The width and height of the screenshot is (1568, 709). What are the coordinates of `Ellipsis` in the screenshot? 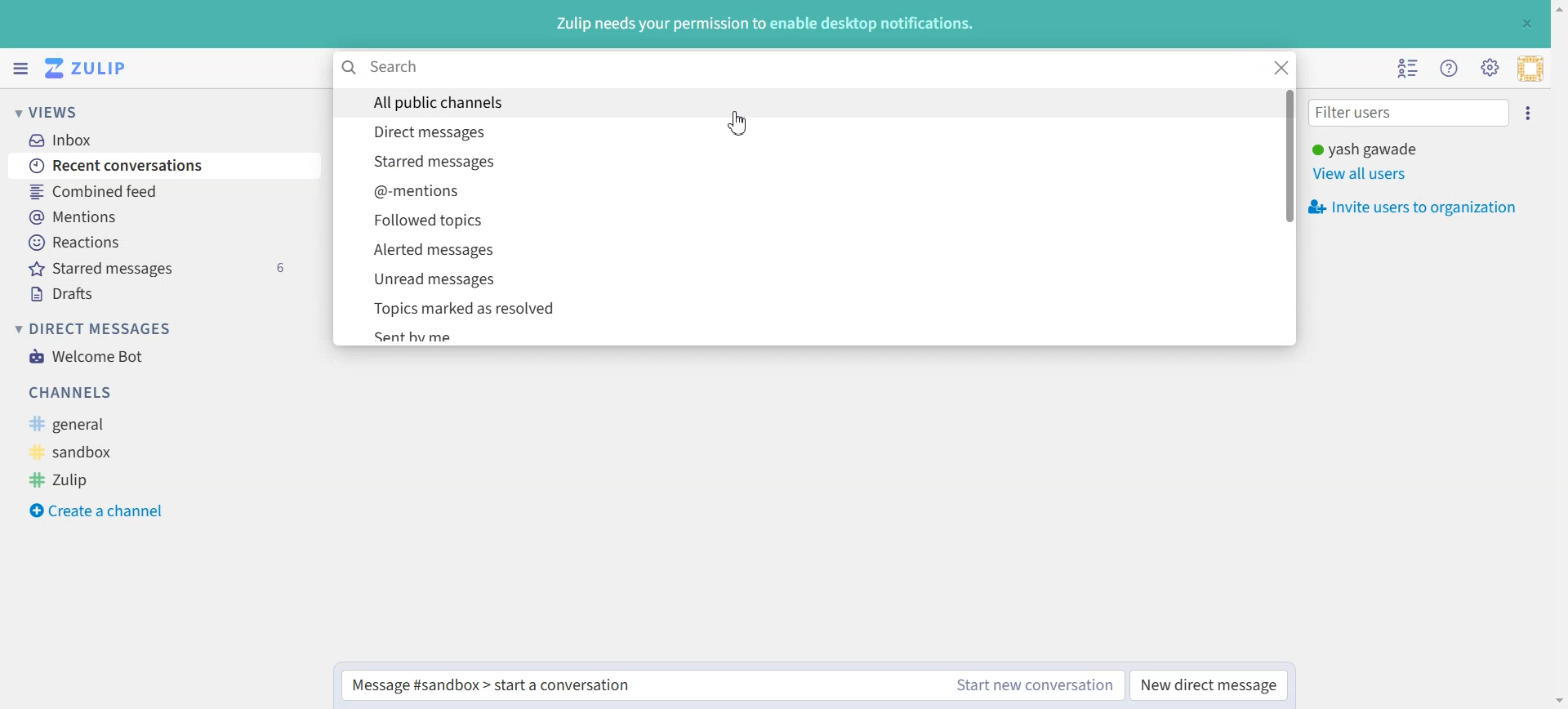 It's located at (1532, 114).